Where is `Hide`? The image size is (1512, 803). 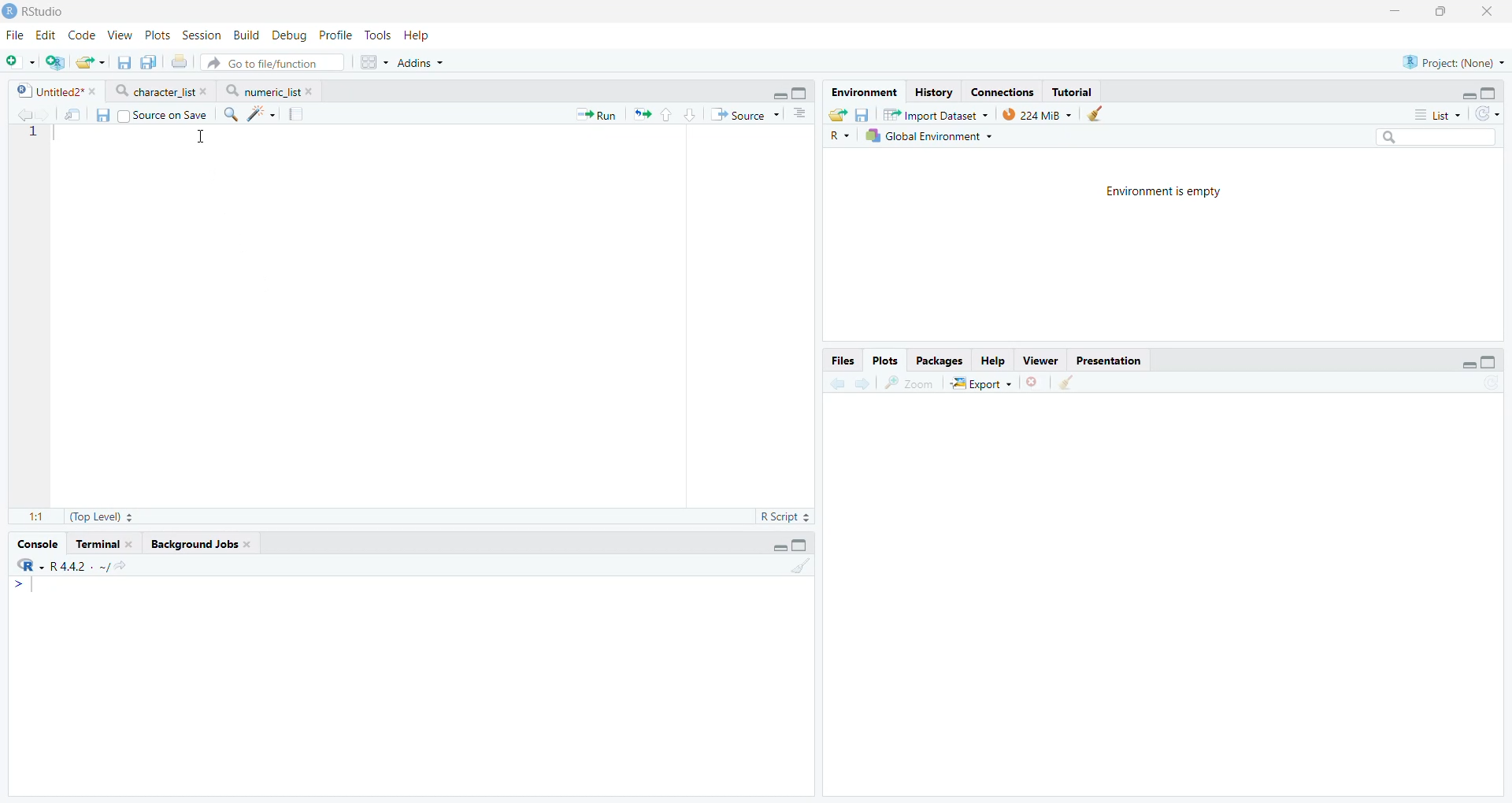 Hide is located at coordinates (1467, 94).